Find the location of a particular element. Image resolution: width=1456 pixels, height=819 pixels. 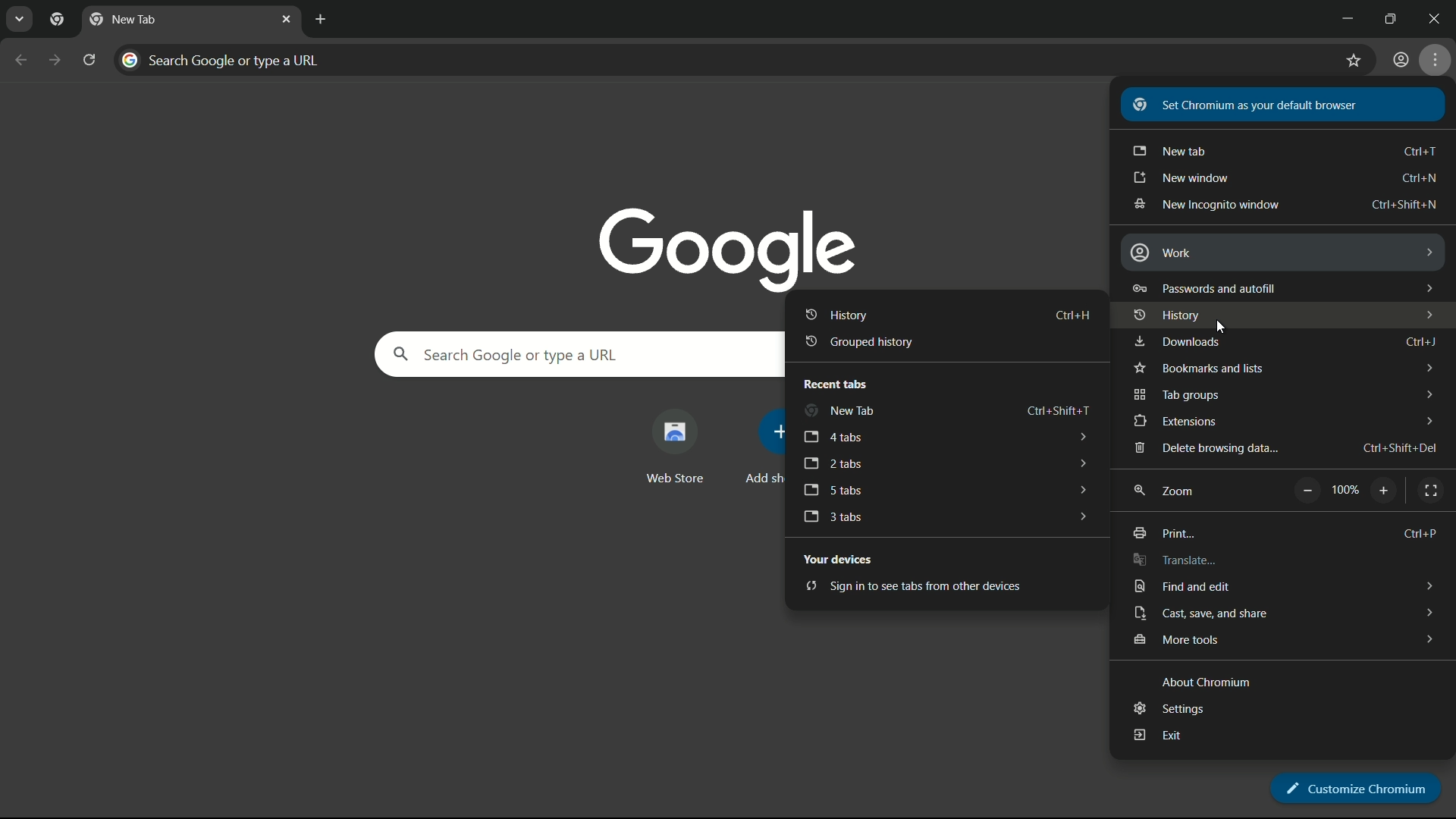

shortcut key is located at coordinates (1072, 313).